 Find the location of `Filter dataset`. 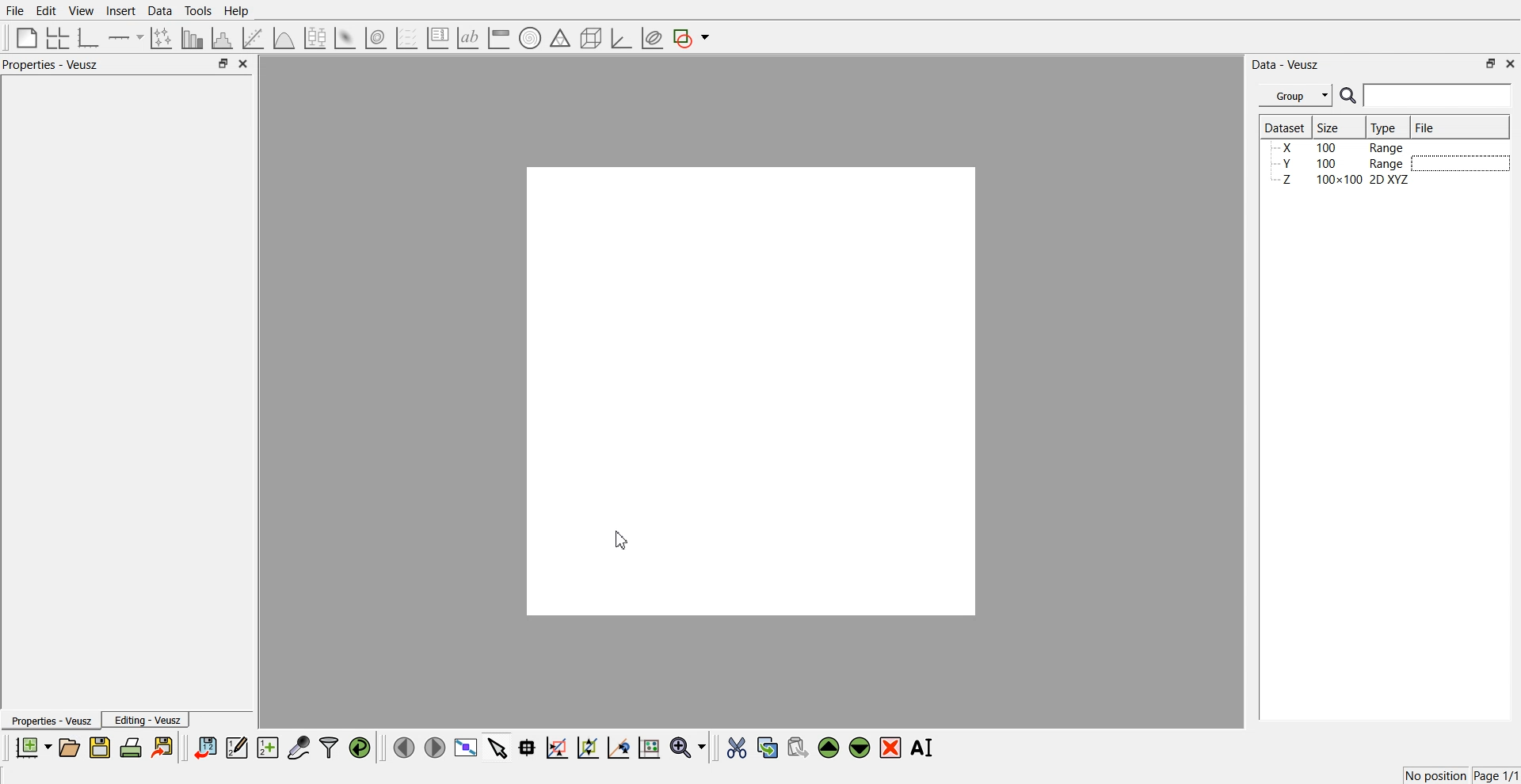

Filter dataset is located at coordinates (329, 747).